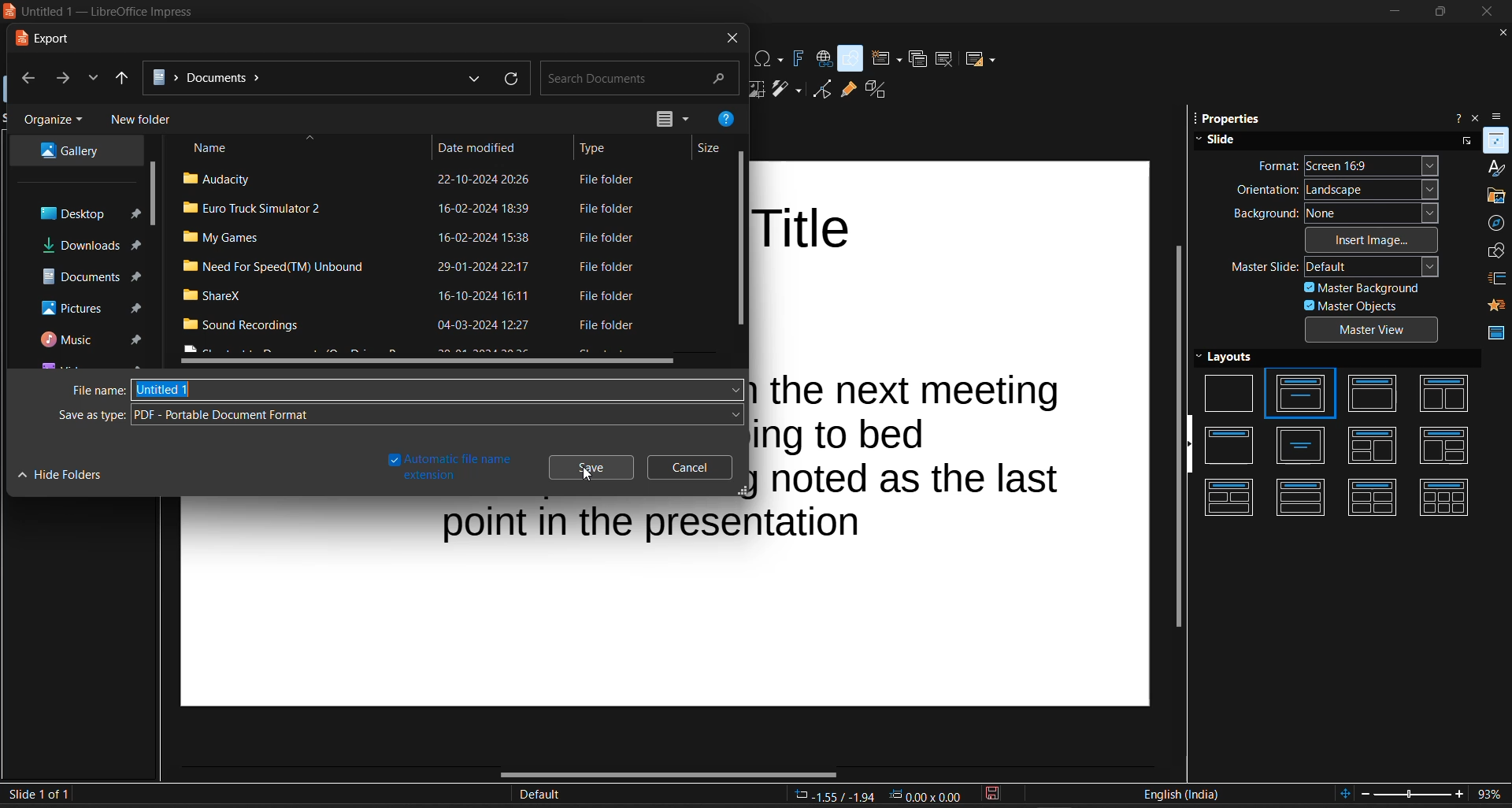 The image size is (1512, 808). What do you see at coordinates (755, 90) in the screenshot?
I see `crop image` at bounding box center [755, 90].